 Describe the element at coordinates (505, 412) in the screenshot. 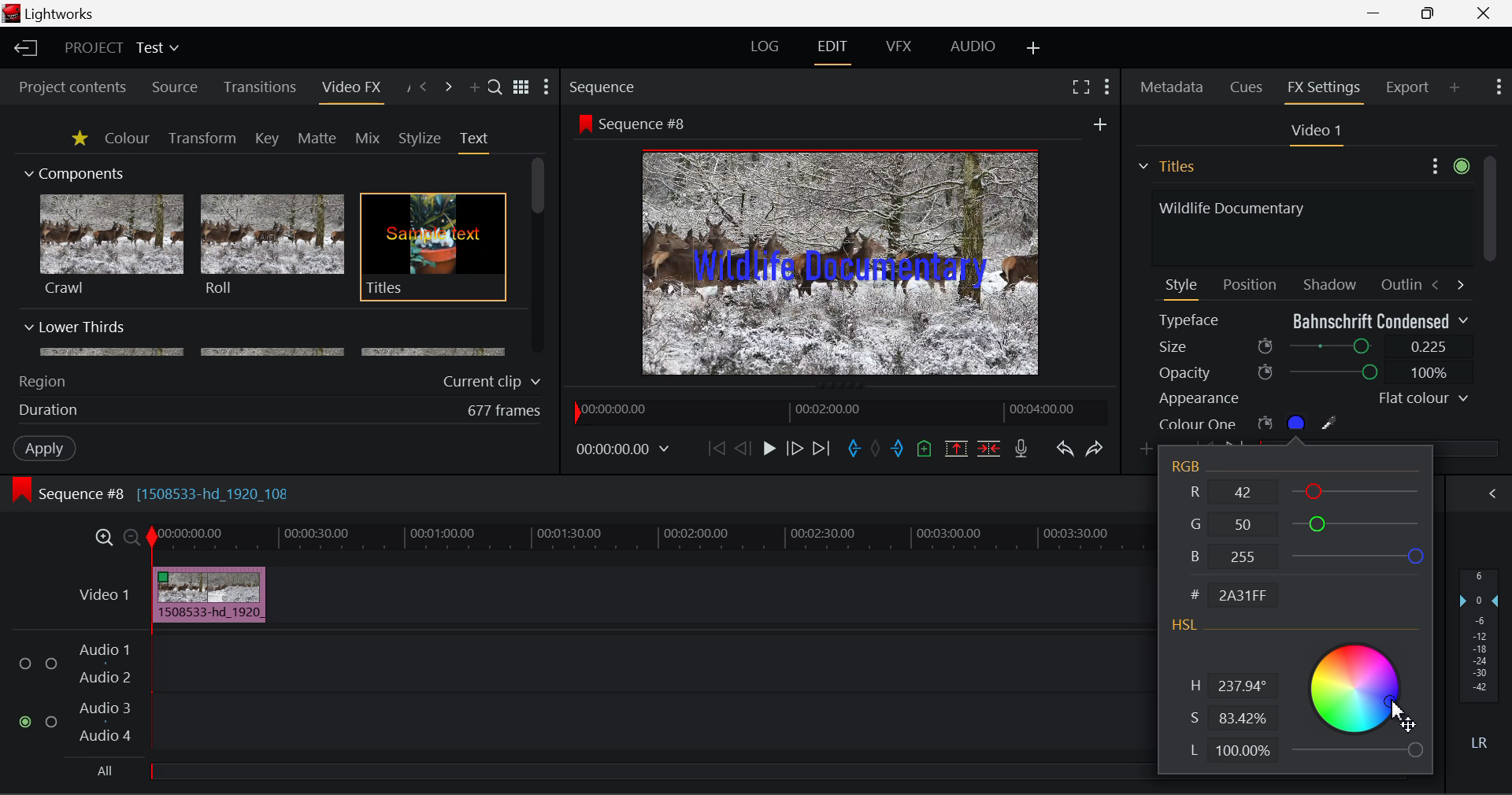

I see `677 frames` at that location.